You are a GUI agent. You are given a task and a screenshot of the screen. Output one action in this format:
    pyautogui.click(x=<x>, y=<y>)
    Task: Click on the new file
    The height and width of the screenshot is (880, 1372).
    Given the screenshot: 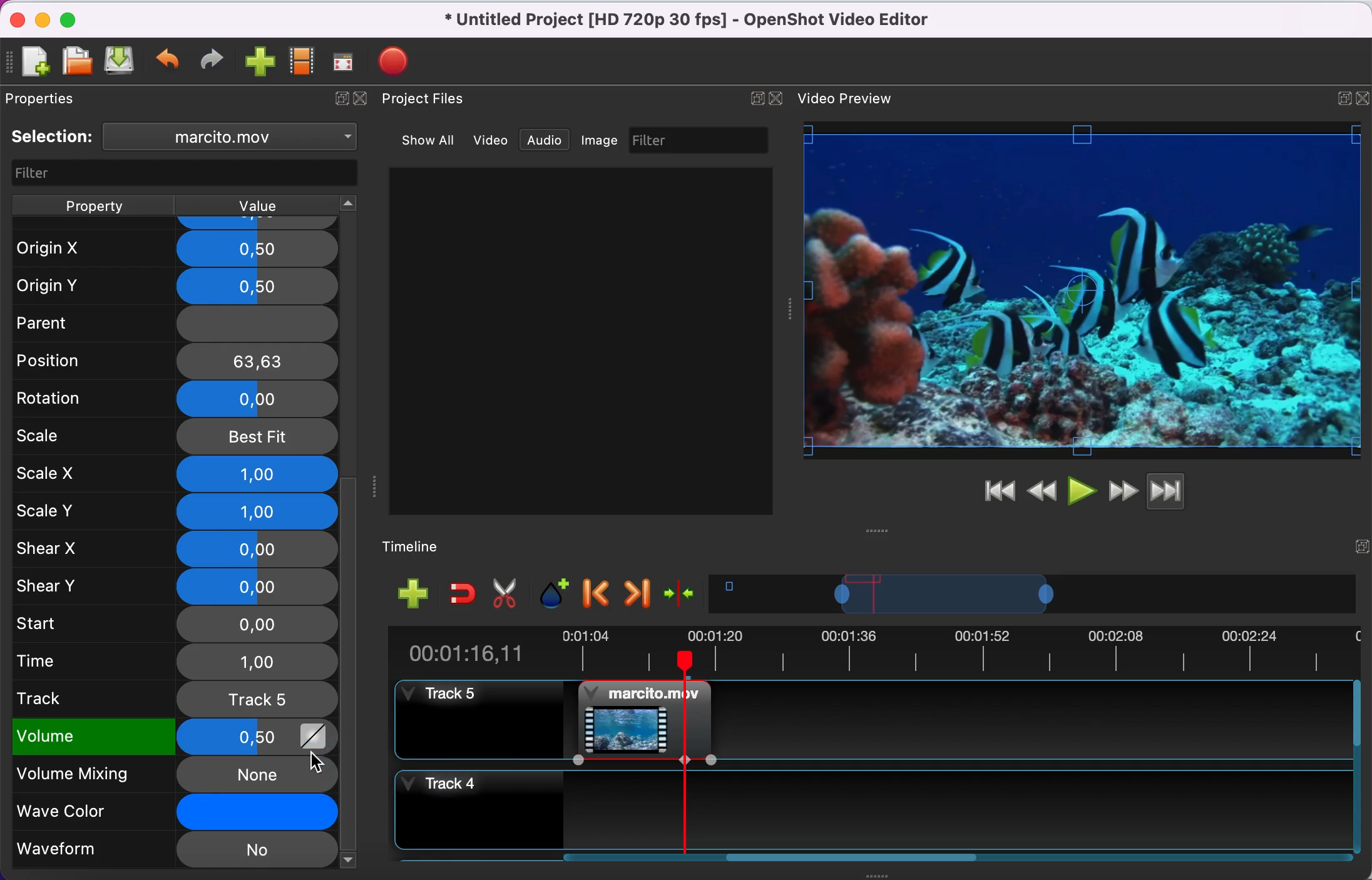 What is the action you would take?
    pyautogui.click(x=35, y=61)
    